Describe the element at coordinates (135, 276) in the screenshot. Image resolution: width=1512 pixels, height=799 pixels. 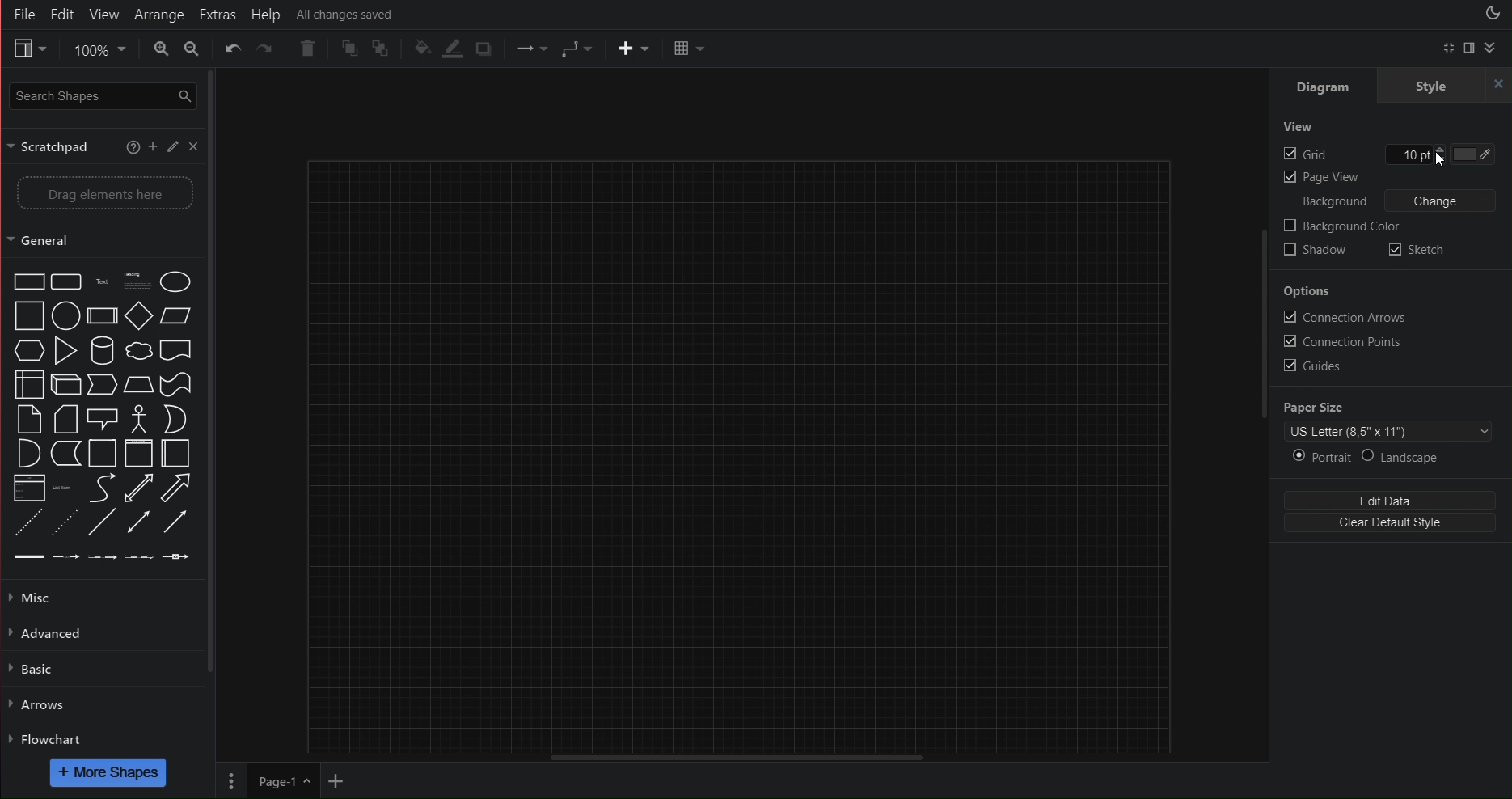
I see `notes` at that location.